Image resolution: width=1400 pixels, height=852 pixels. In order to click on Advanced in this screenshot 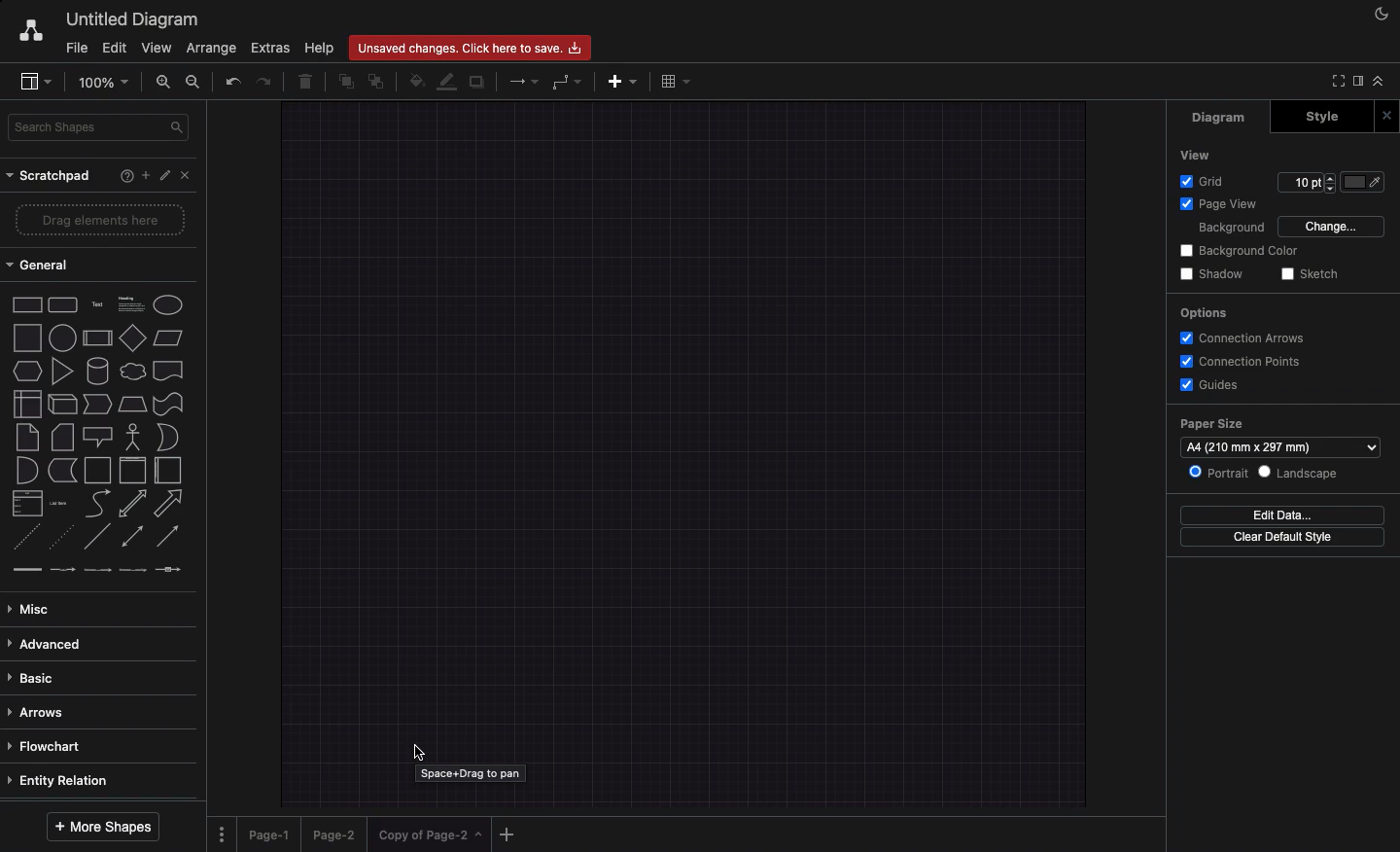, I will do `click(46, 645)`.